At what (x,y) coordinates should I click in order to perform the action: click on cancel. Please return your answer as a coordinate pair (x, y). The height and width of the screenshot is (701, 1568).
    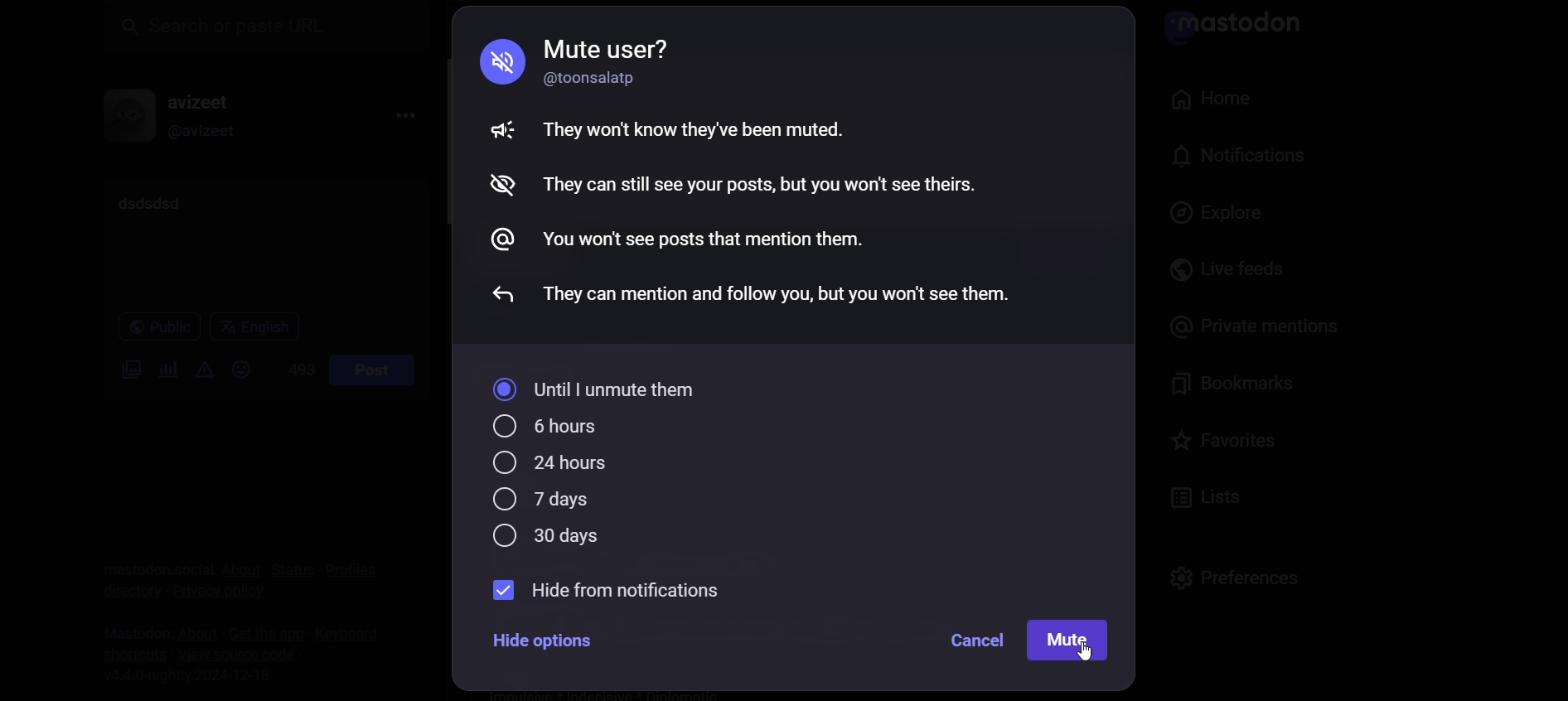
    Looking at the image, I should click on (976, 640).